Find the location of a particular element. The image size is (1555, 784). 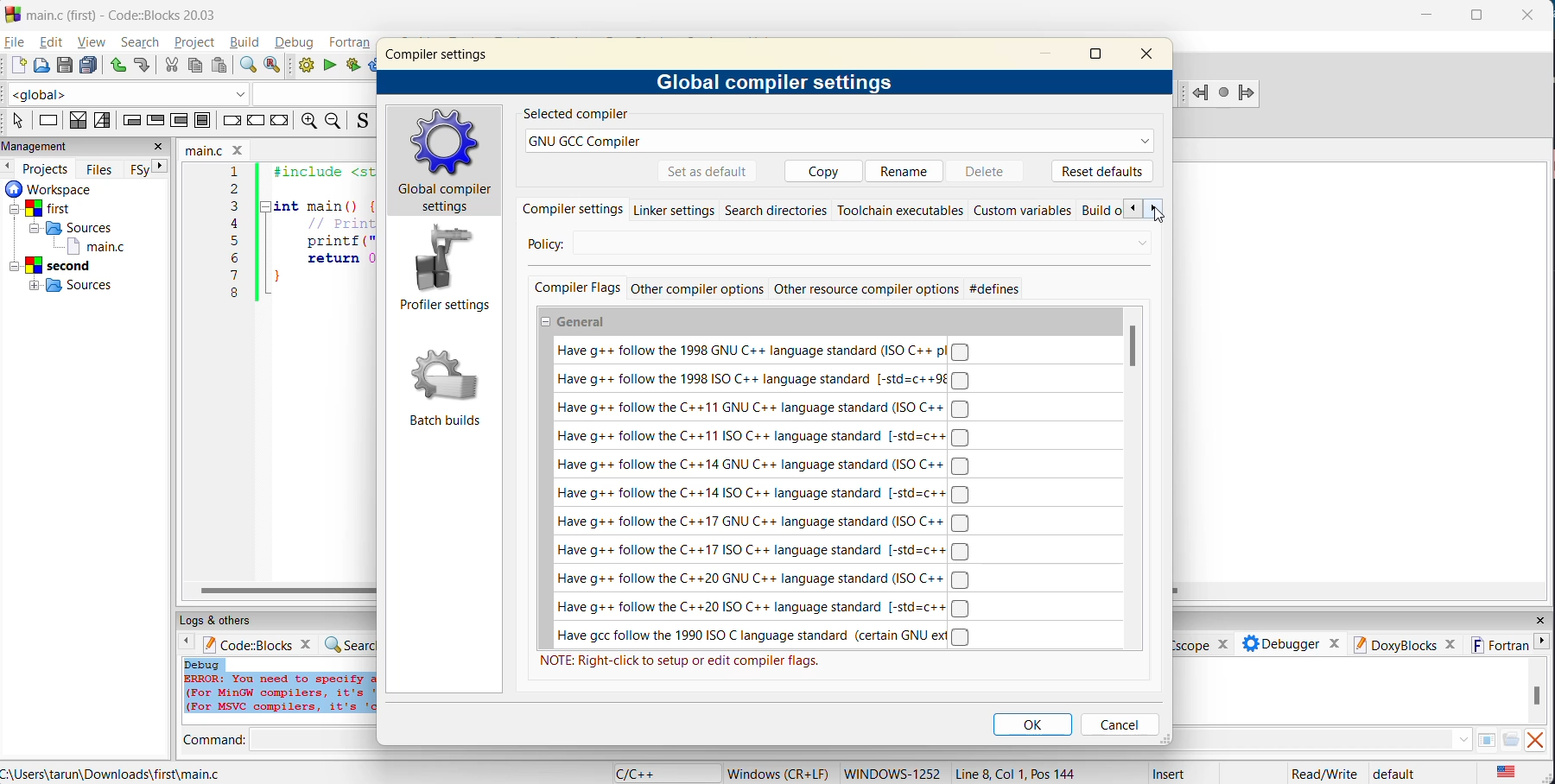

new is located at coordinates (15, 66).